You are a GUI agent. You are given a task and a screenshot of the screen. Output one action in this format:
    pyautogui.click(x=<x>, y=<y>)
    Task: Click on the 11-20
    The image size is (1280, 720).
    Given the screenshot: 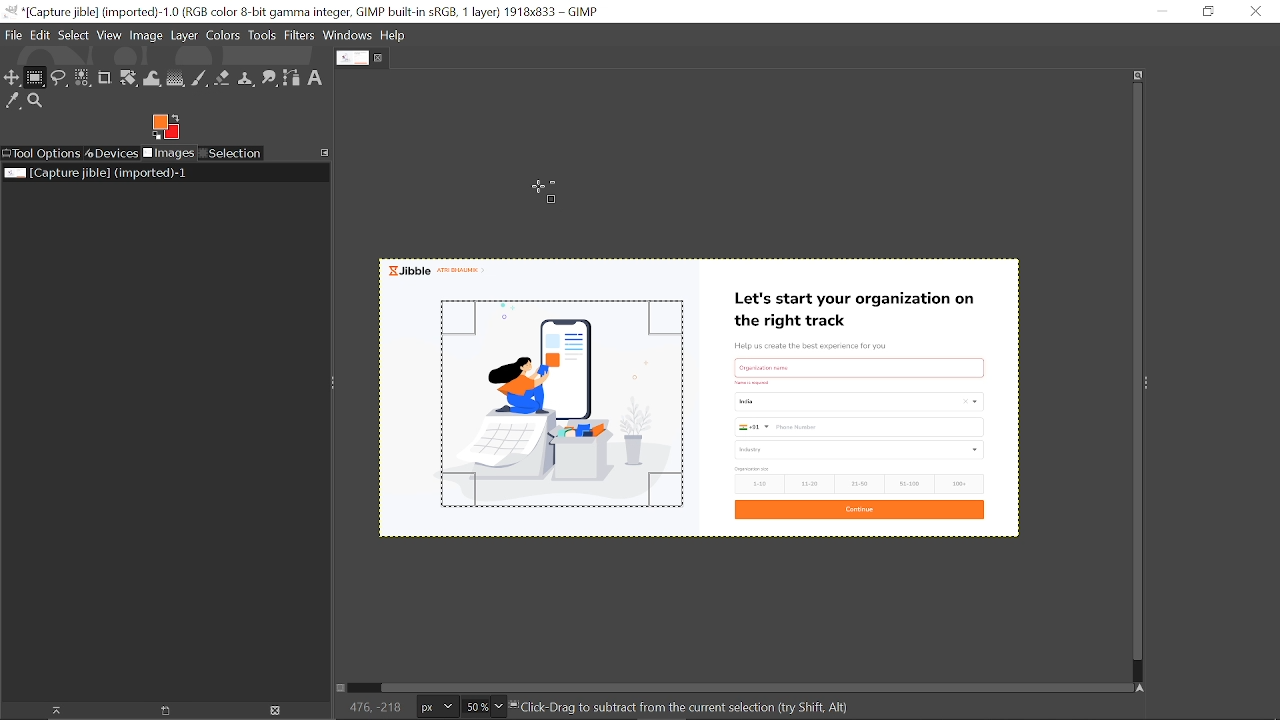 What is the action you would take?
    pyautogui.click(x=808, y=484)
    